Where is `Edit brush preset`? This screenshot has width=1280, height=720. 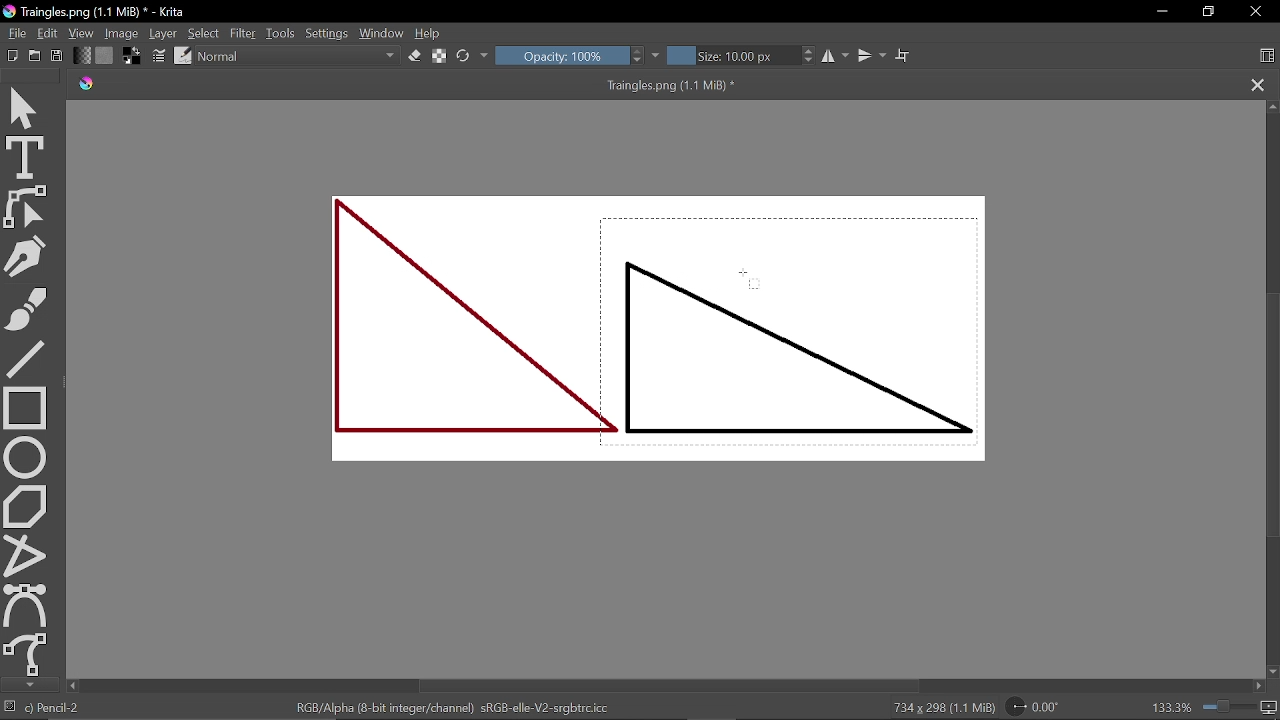
Edit brush preset is located at coordinates (182, 55).